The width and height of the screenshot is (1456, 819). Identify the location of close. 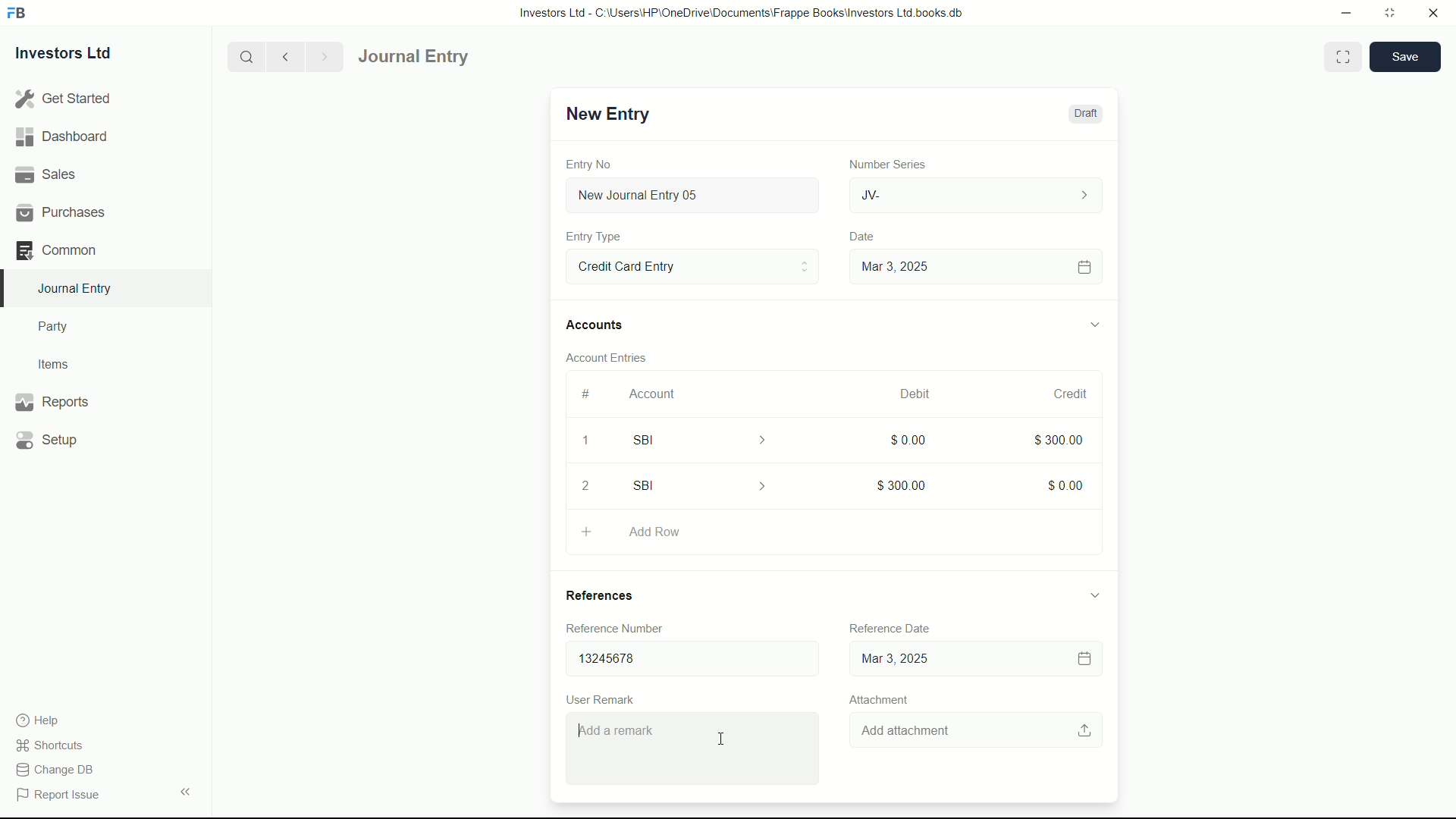
(1434, 14).